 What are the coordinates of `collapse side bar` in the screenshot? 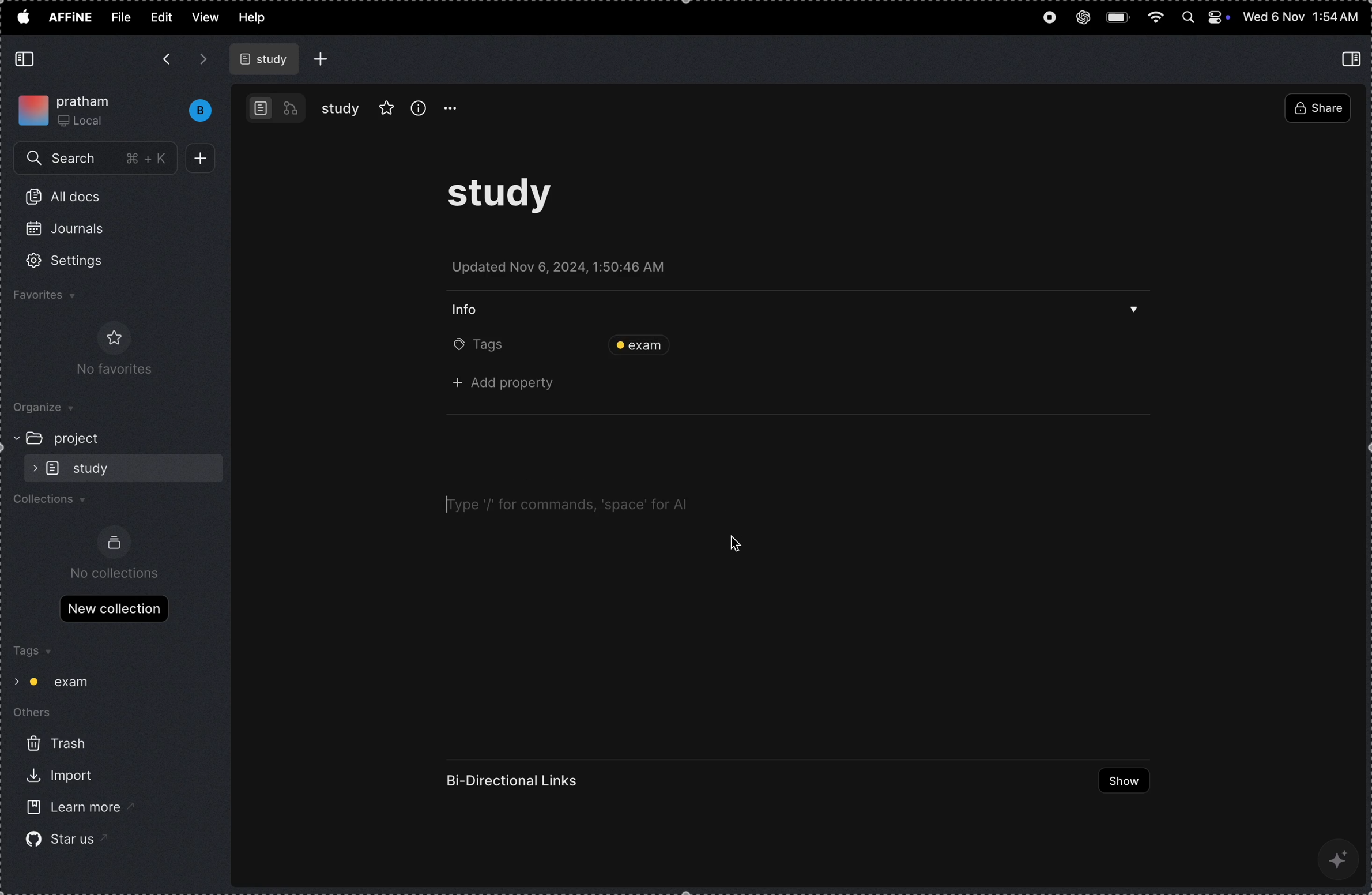 It's located at (27, 59).